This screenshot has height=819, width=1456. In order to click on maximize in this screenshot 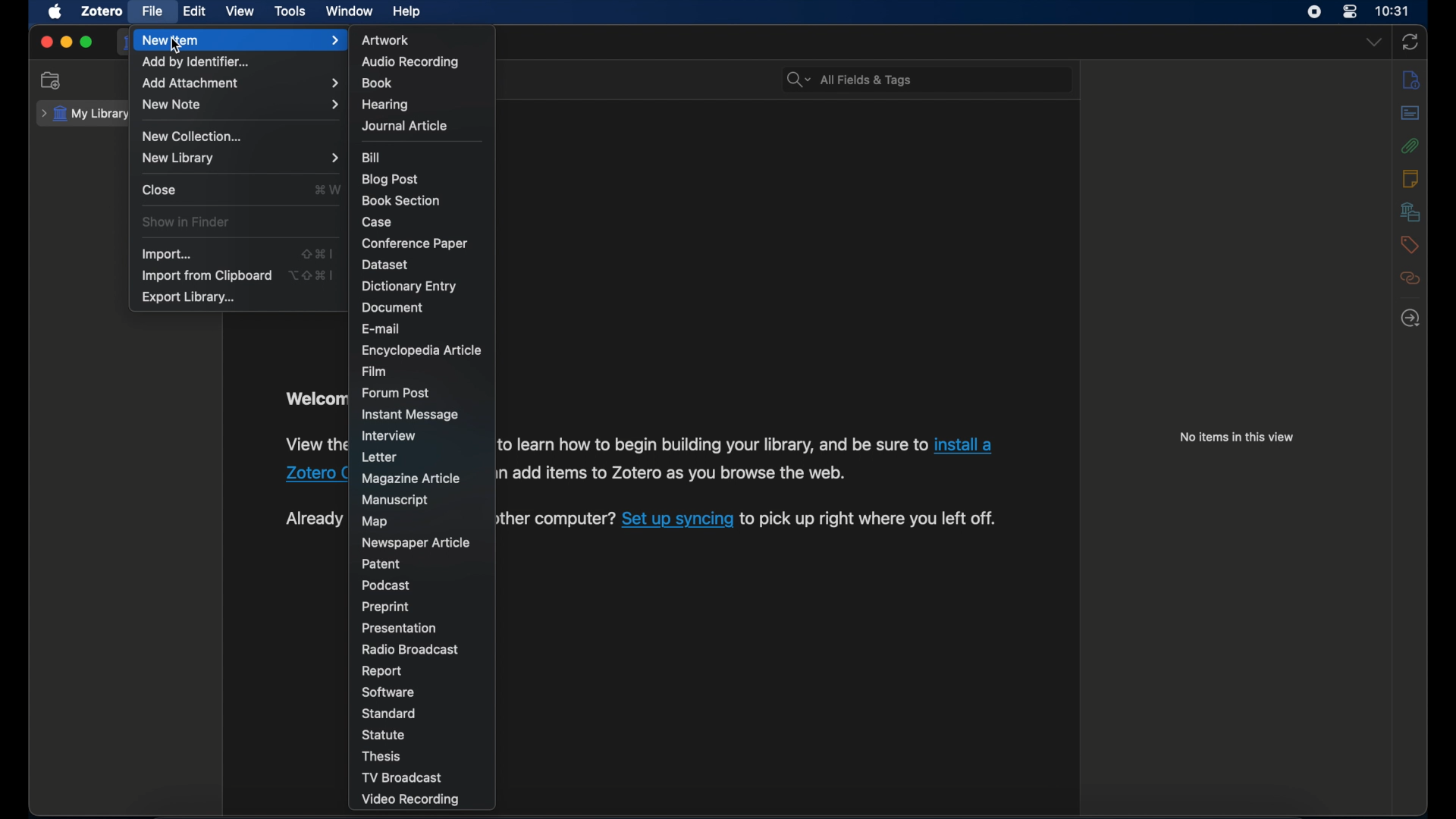, I will do `click(86, 43)`.